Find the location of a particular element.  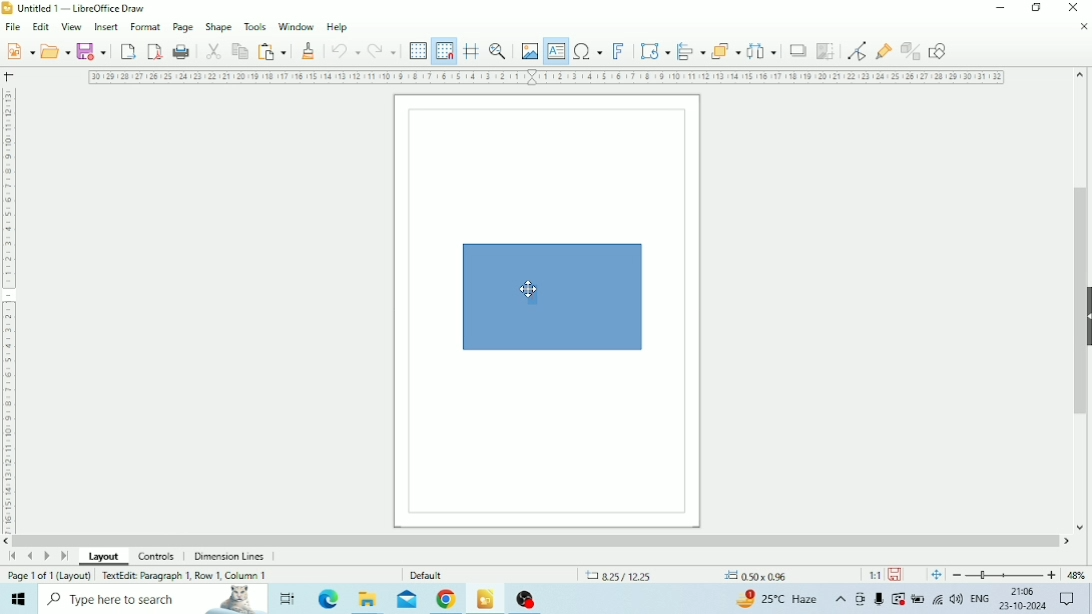

Scroll to previous page is located at coordinates (31, 556).